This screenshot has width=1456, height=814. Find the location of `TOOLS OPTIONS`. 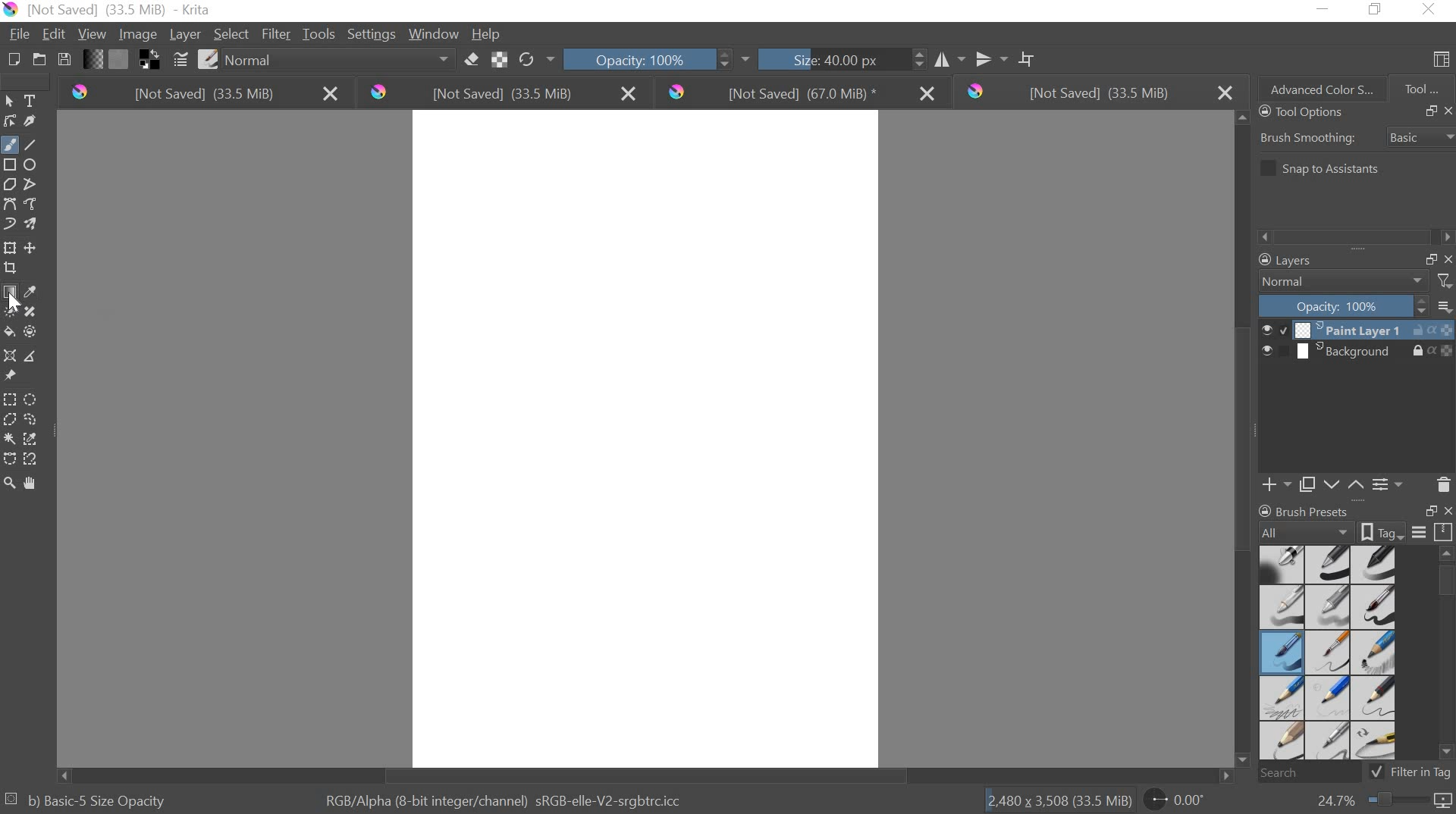

TOOLS OPTIONS is located at coordinates (1298, 113).